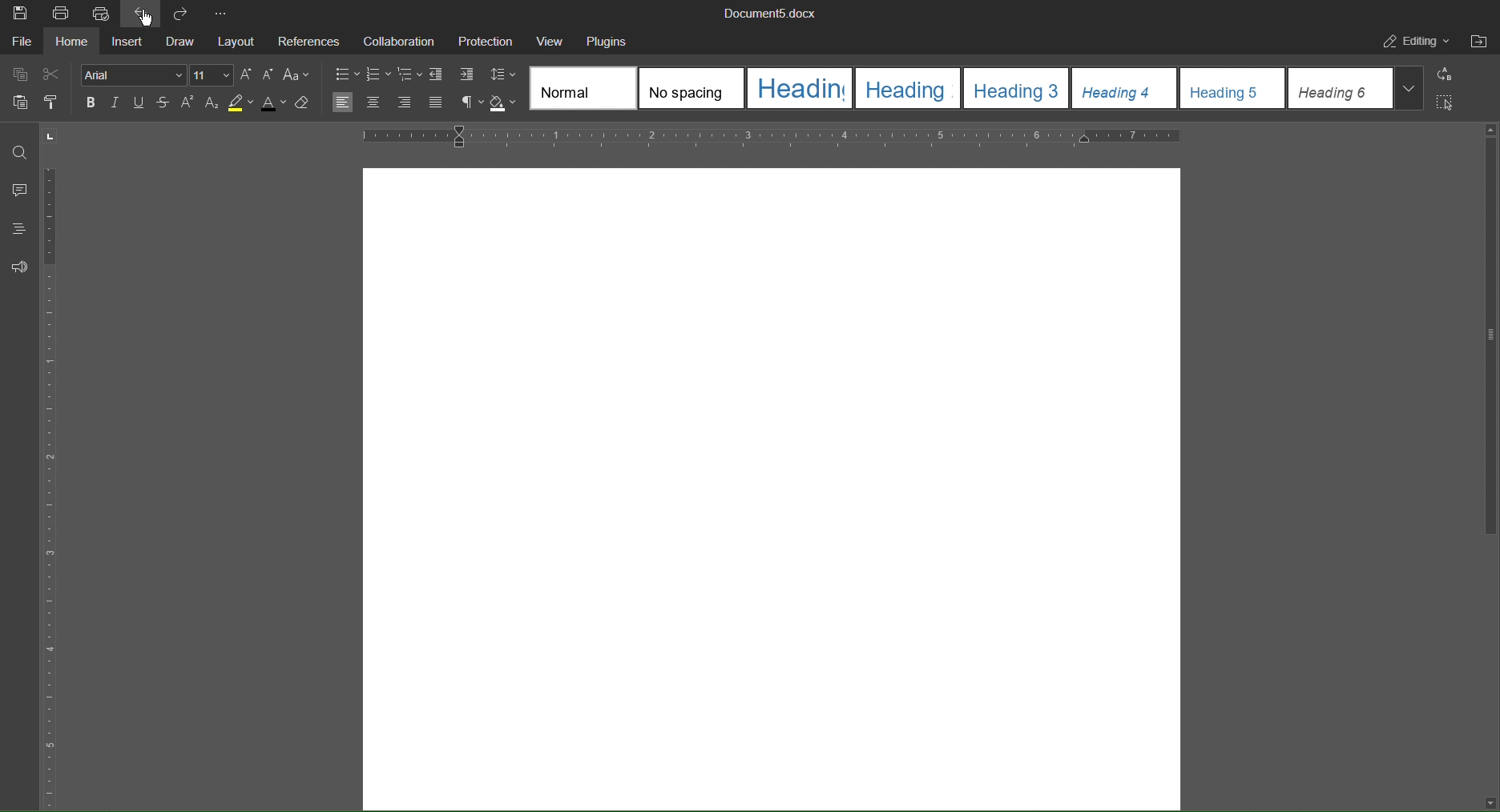 Image resolution: width=1500 pixels, height=812 pixels. What do you see at coordinates (103, 13) in the screenshot?
I see `Quick Print` at bounding box center [103, 13].